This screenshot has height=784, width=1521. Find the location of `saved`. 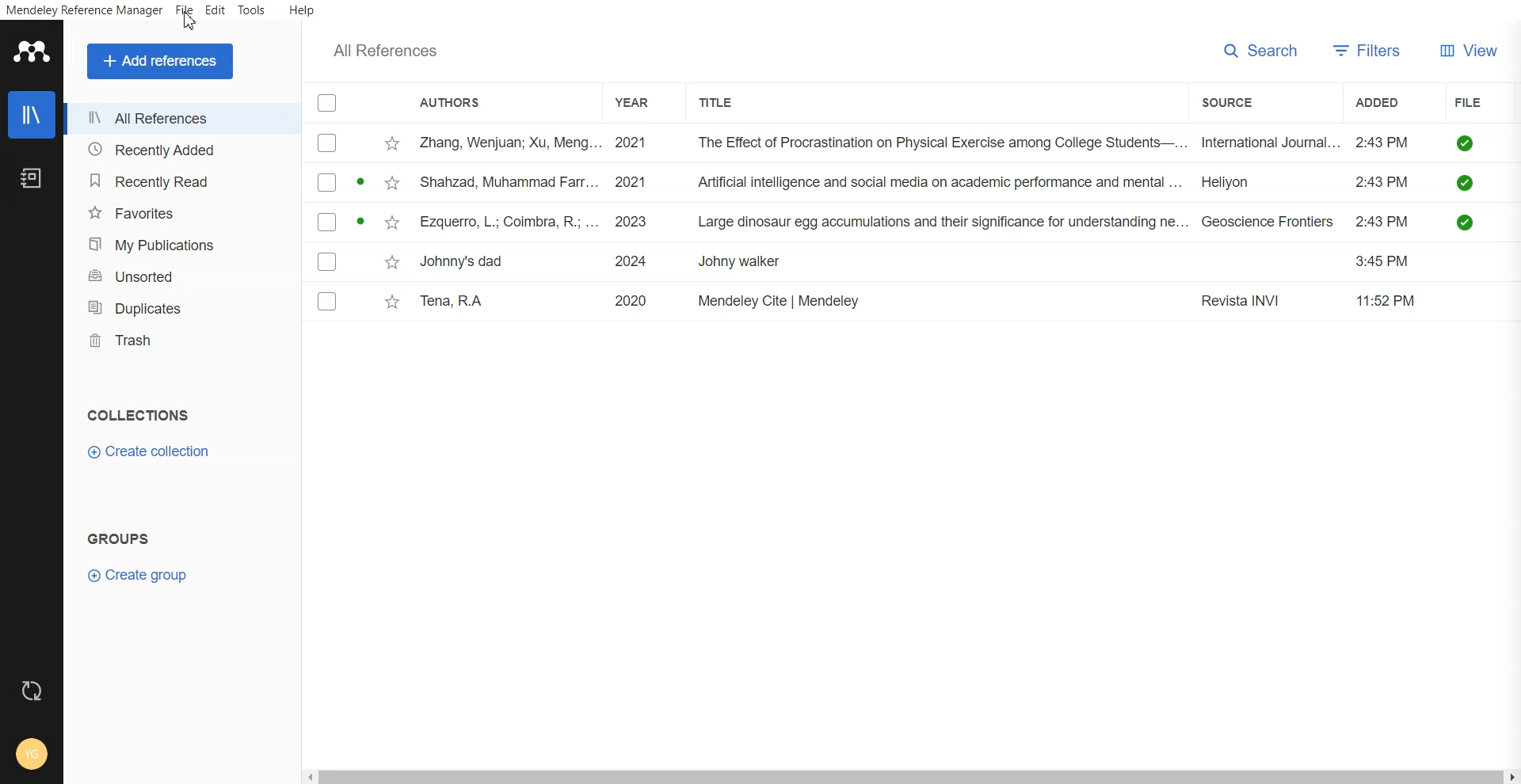

saved is located at coordinates (1467, 182).